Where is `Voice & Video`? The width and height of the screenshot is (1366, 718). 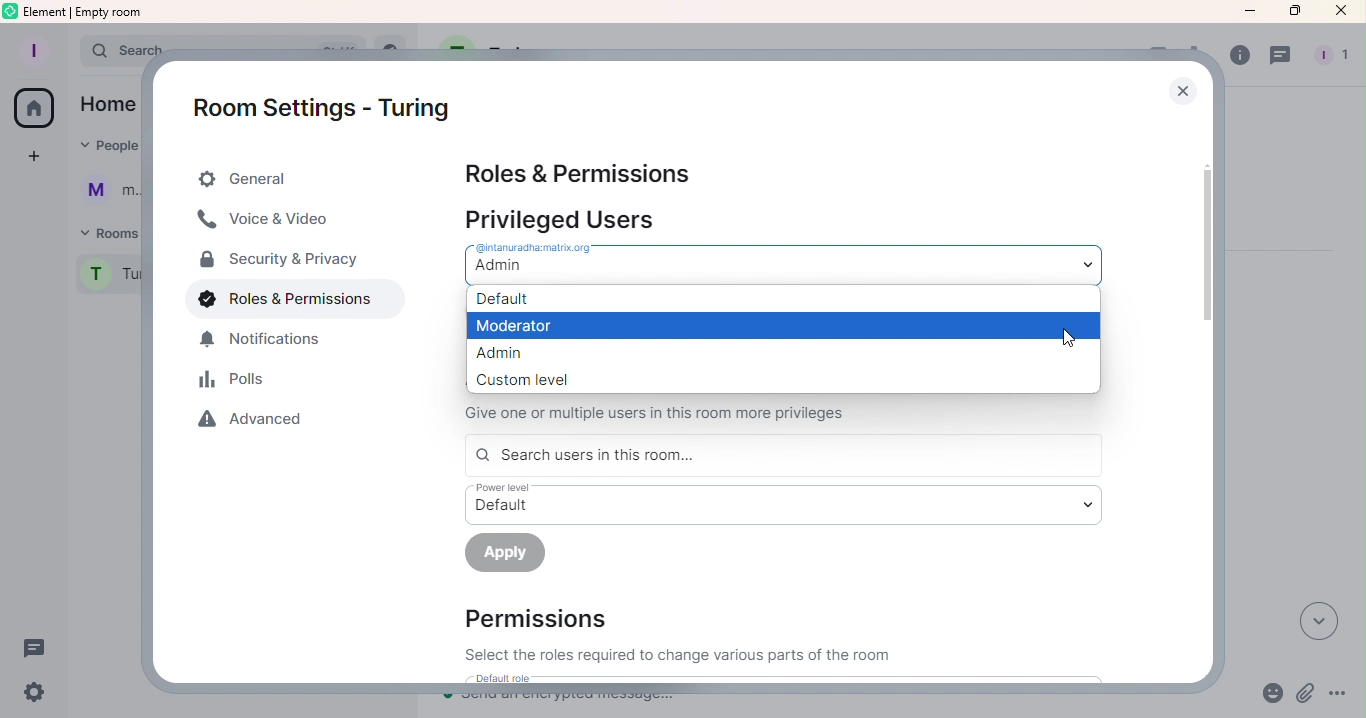
Voice & Video is located at coordinates (287, 219).